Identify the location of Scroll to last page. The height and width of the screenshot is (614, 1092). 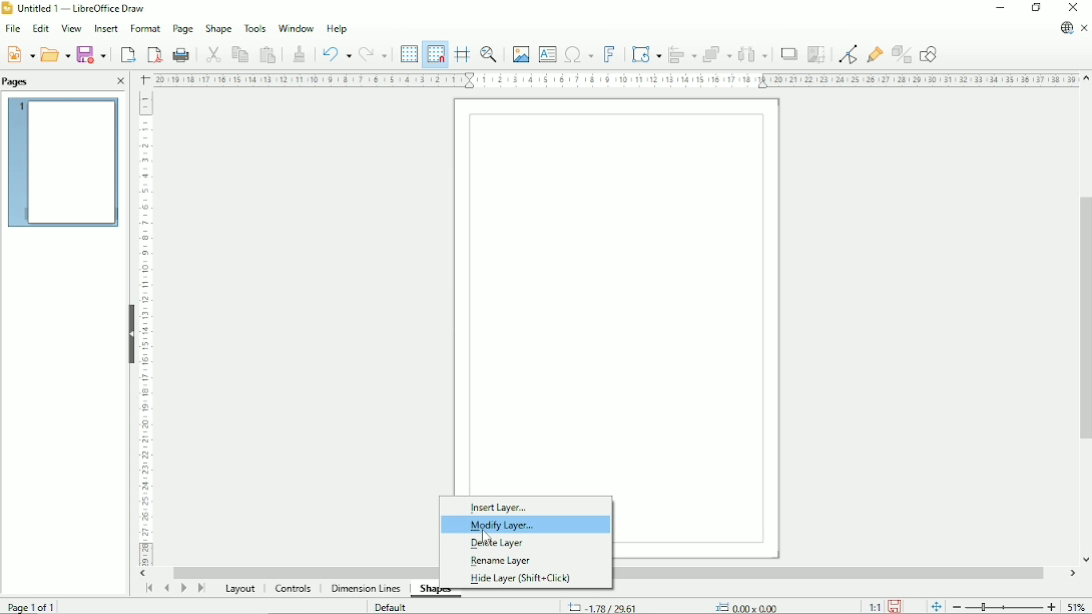
(201, 589).